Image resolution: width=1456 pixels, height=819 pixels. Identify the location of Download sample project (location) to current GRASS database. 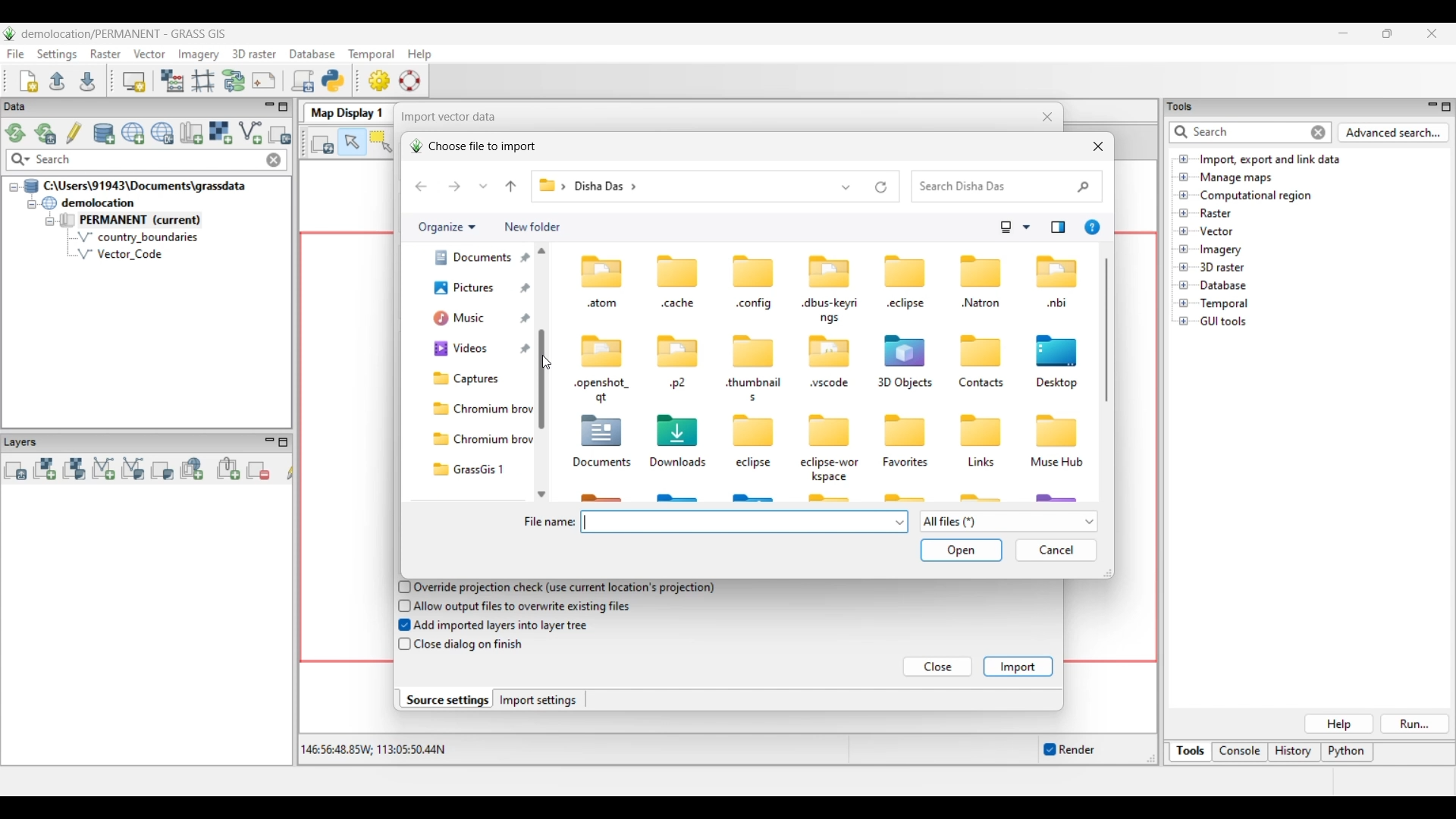
(162, 133).